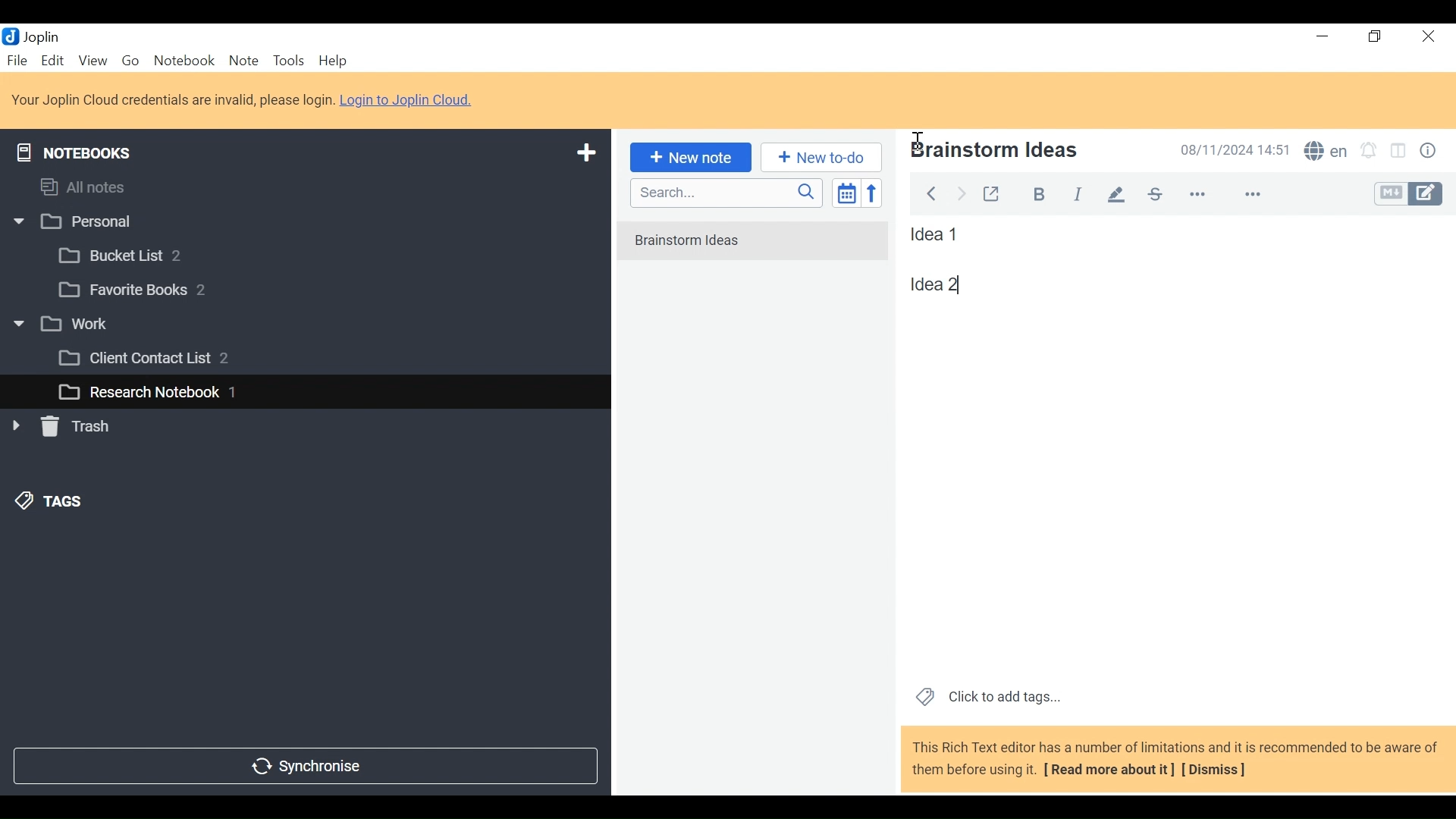 Image resolution: width=1456 pixels, height=819 pixels. What do you see at coordinates (186, 60) in the screenshot?
I see `Notebook` at bounding box center [186, 60].